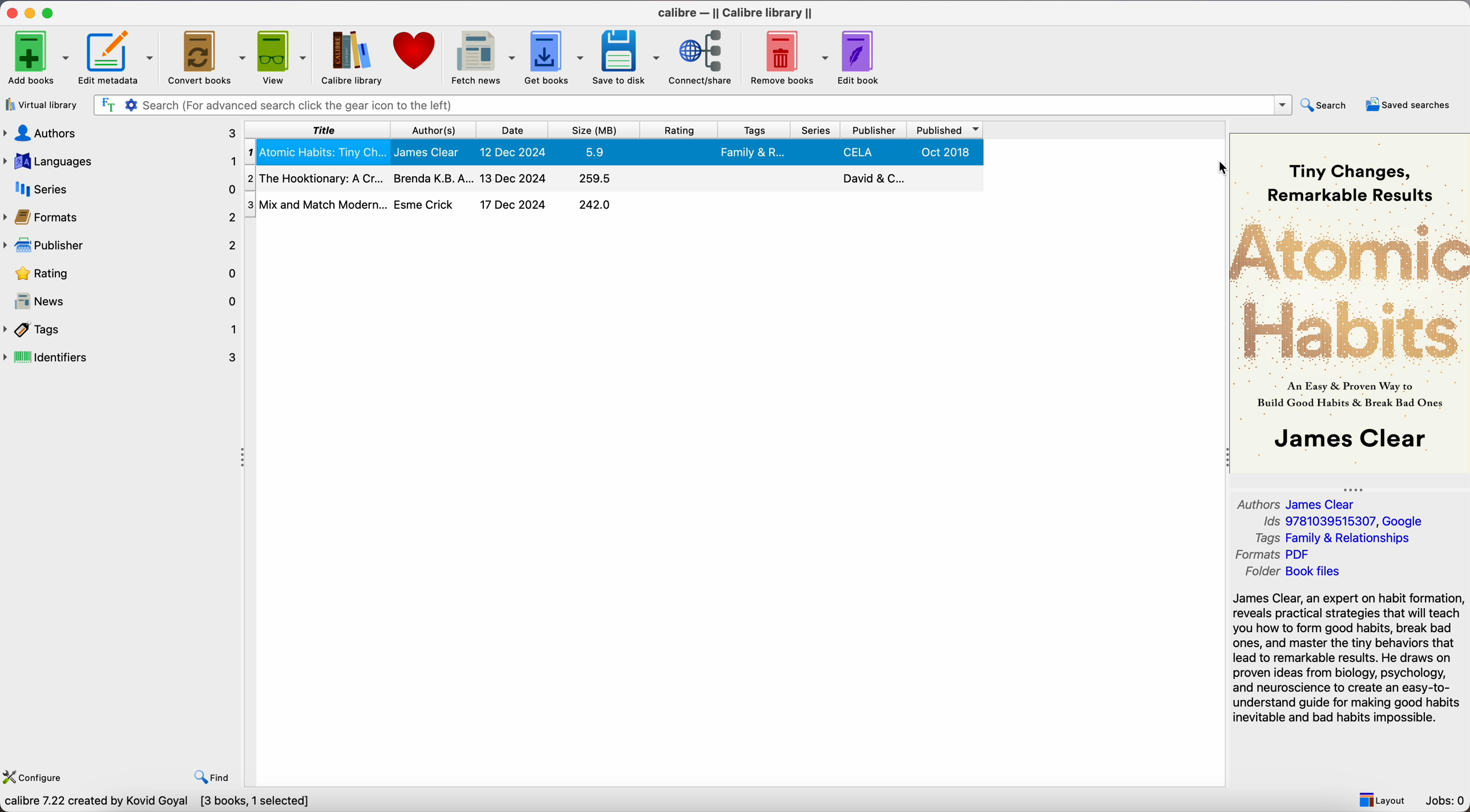 The height and width of the screenshot is (812, 1470). I want to click on date, so click(512, 130).